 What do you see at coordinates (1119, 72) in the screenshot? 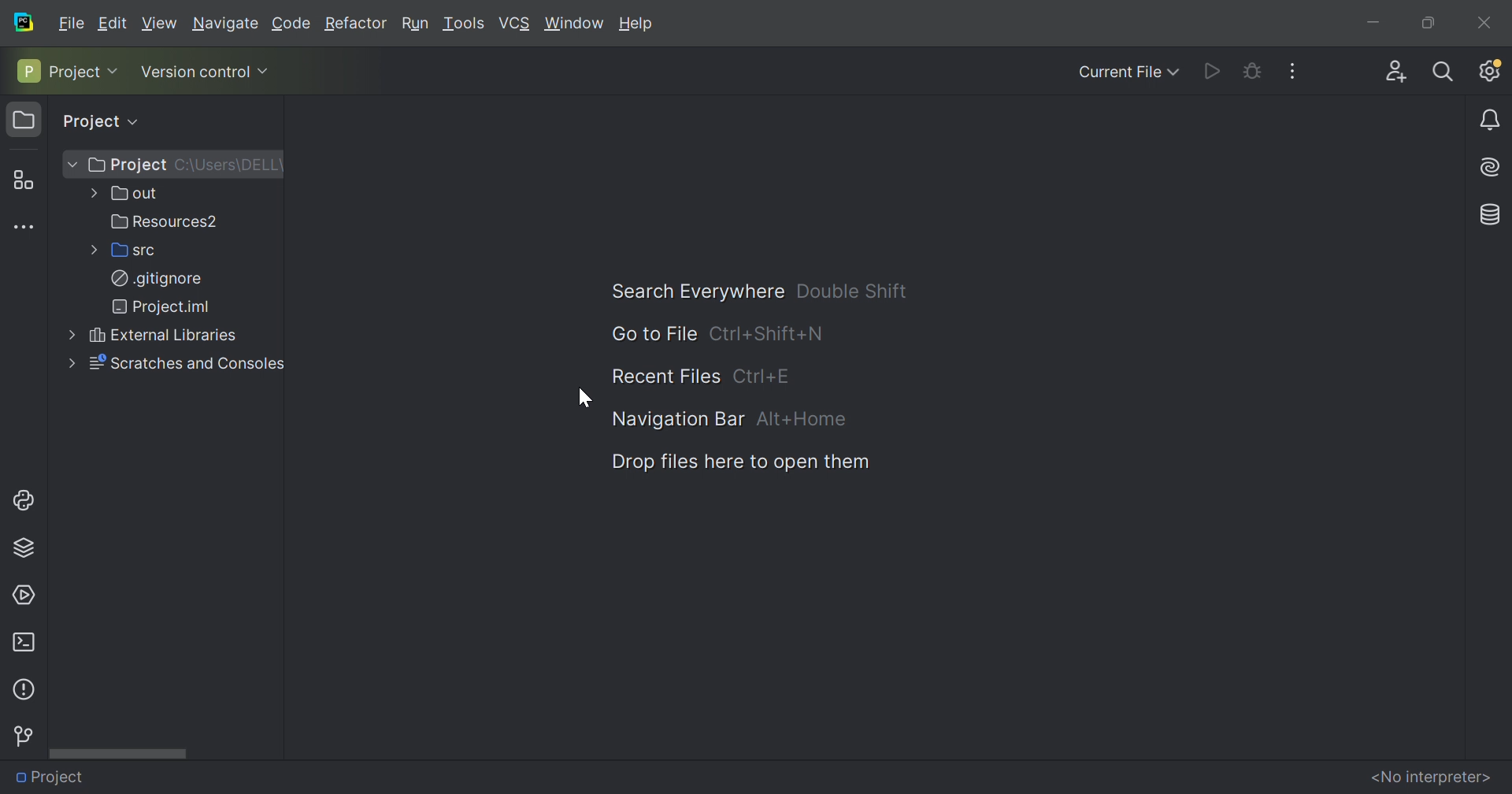
I see `Current File` at bounding box center [1119, 72].